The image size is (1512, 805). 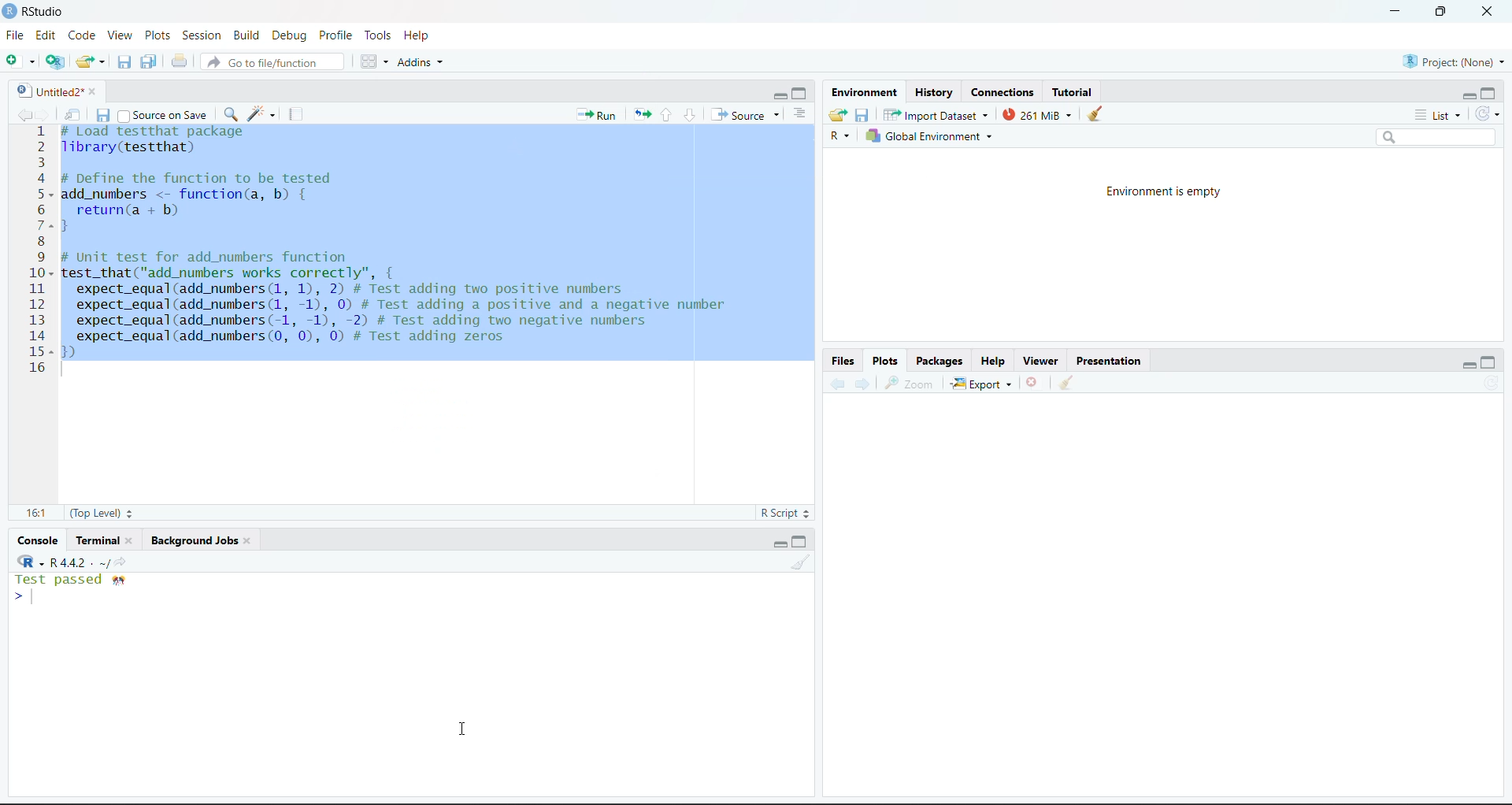 What do you see at coordinates (48, 89) in the screenshot?
I see `Untitled2*` at bounding box center [48, 89].